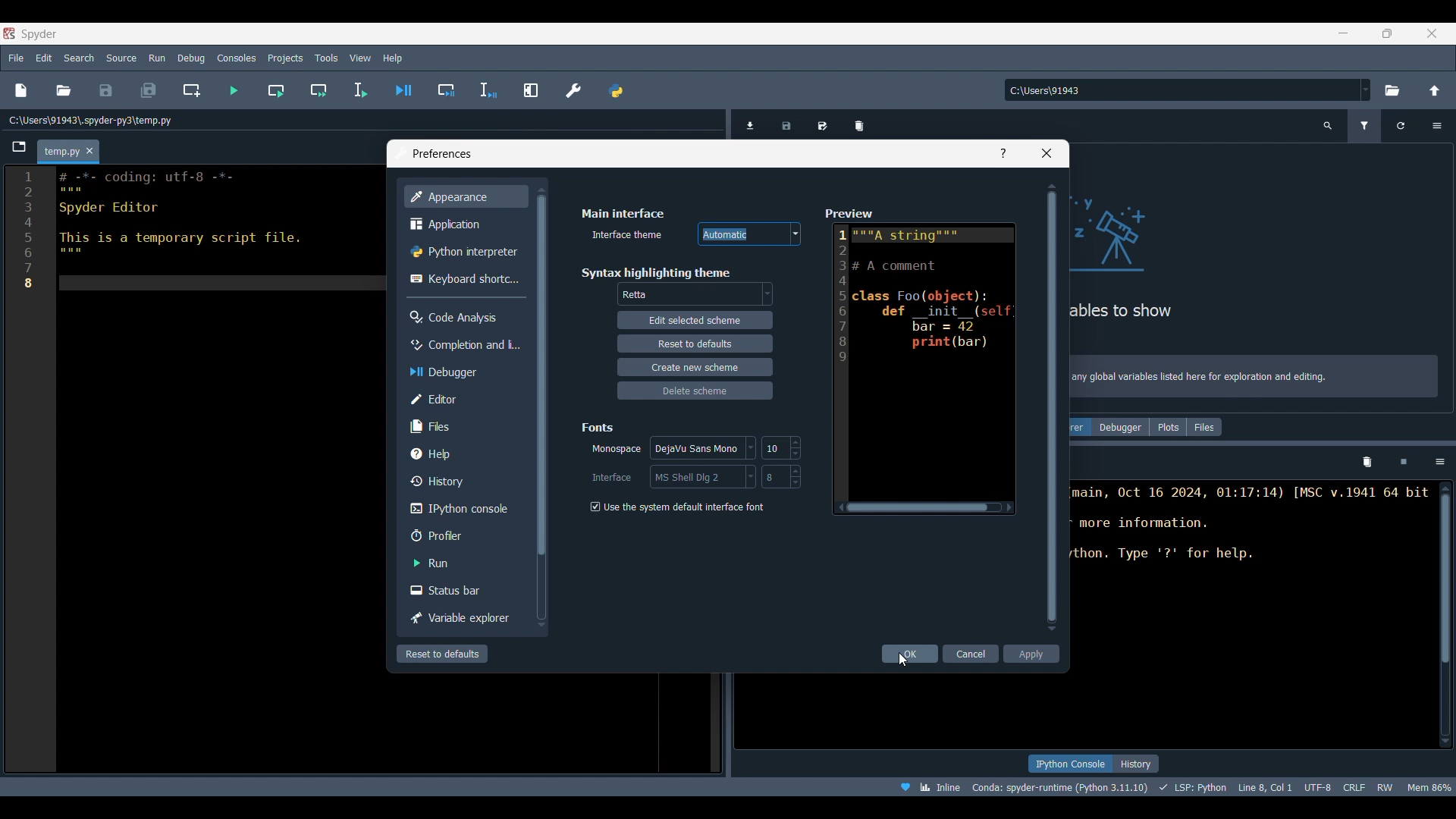 This screenshot has height=819, width=1456. What do you see at coordinates (599, 427) in the screenshot?
I see `Section title` at bounding box center [599, 427].